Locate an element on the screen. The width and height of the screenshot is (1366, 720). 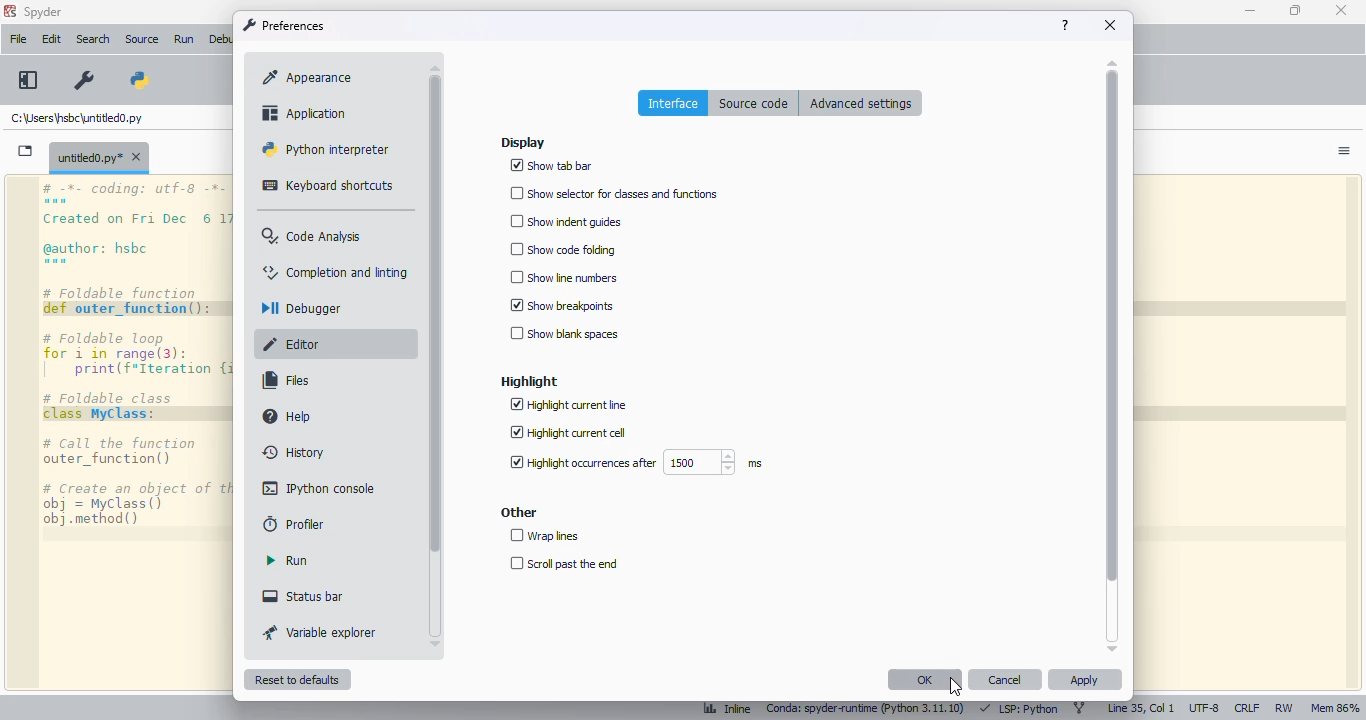
history is located at coordinates (294, 452).